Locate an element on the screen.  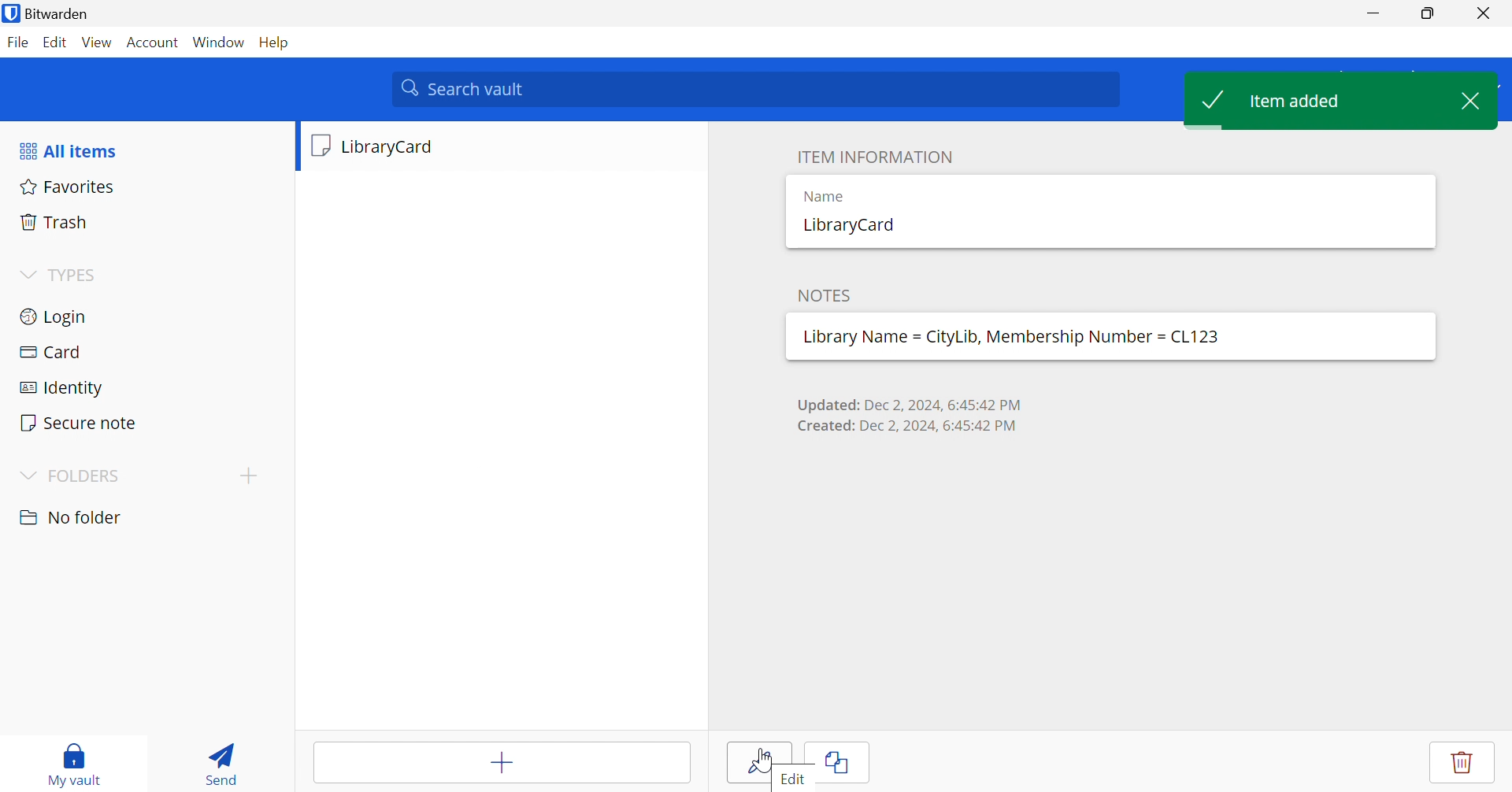
Close is located at coordinates (1480, 99).